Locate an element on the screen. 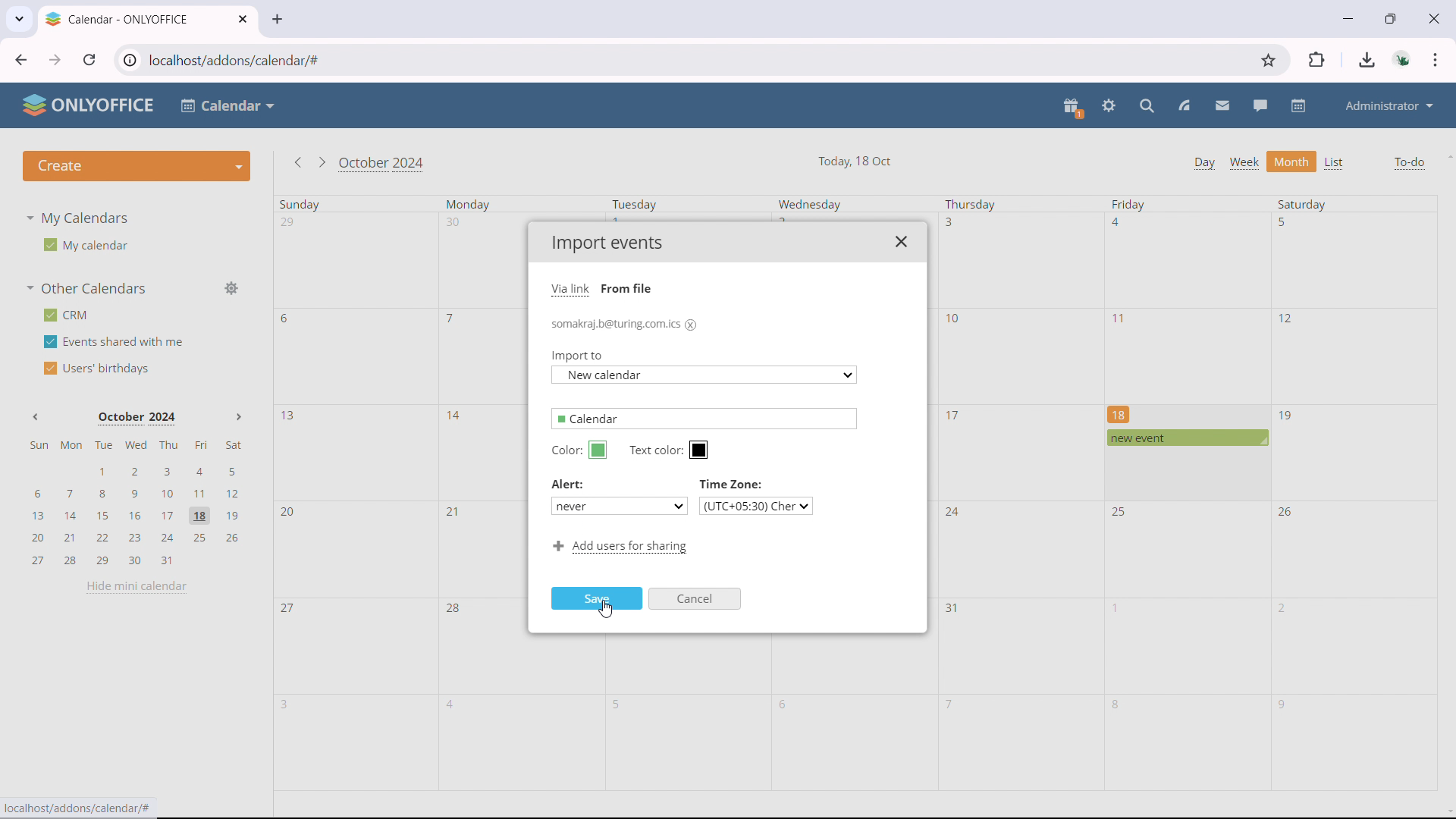 The height and width of the screenshot is (819, 1456). 6 is located at coordinates (286, 318).